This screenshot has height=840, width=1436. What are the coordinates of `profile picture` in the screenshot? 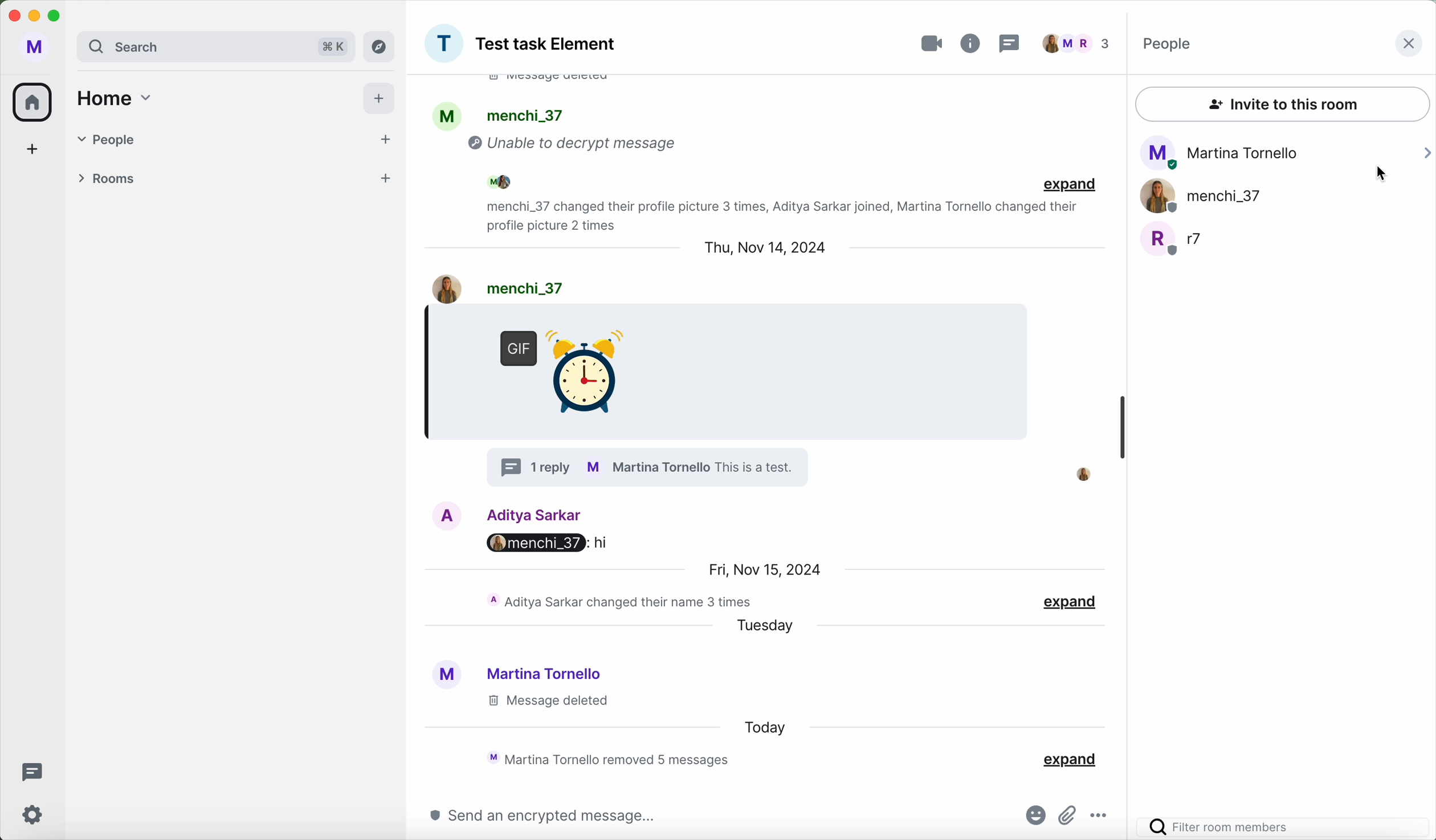 It's located at (444, 676).